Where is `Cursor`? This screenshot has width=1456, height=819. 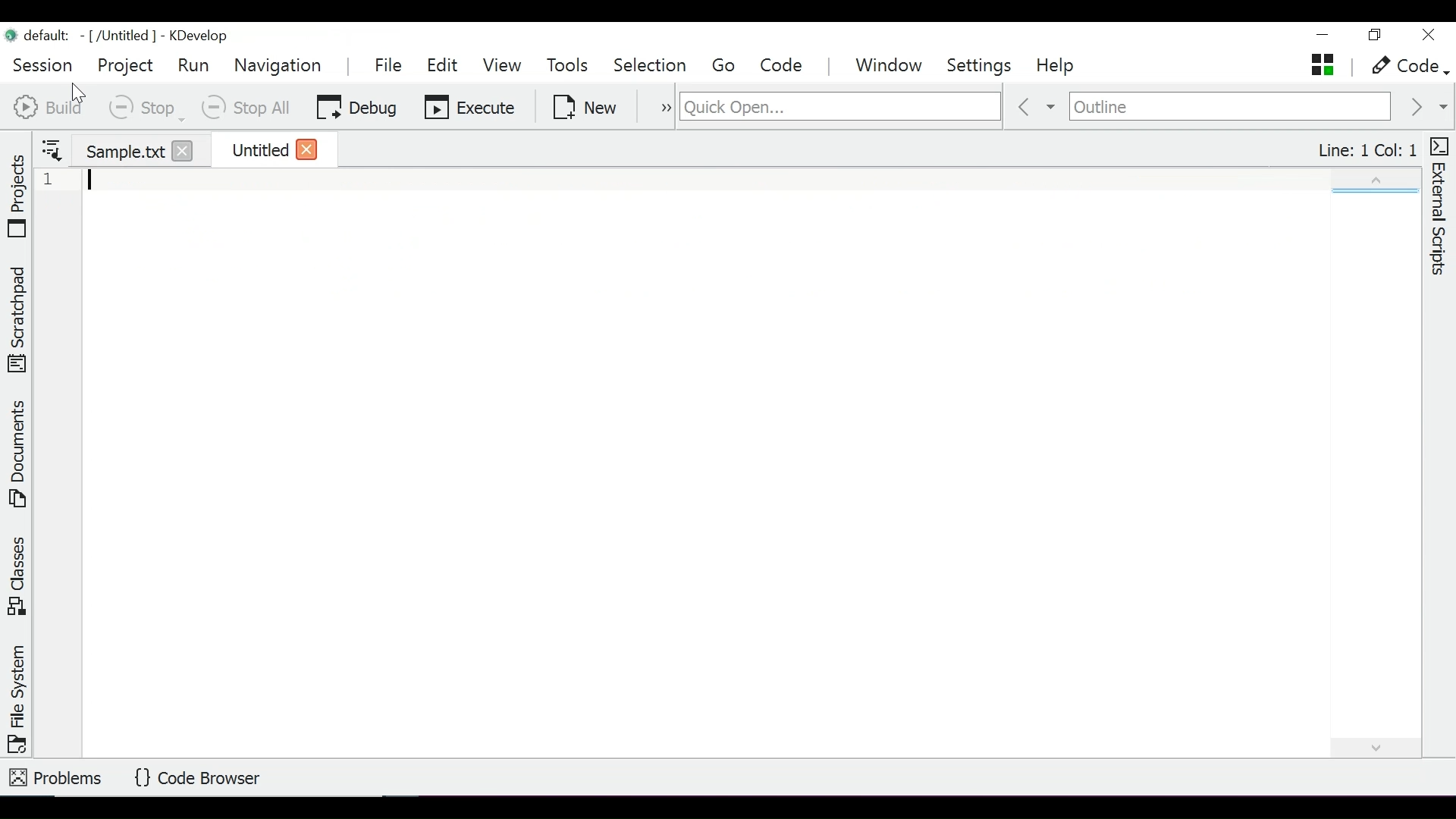 Cursor is located at coordinates (80, 91).